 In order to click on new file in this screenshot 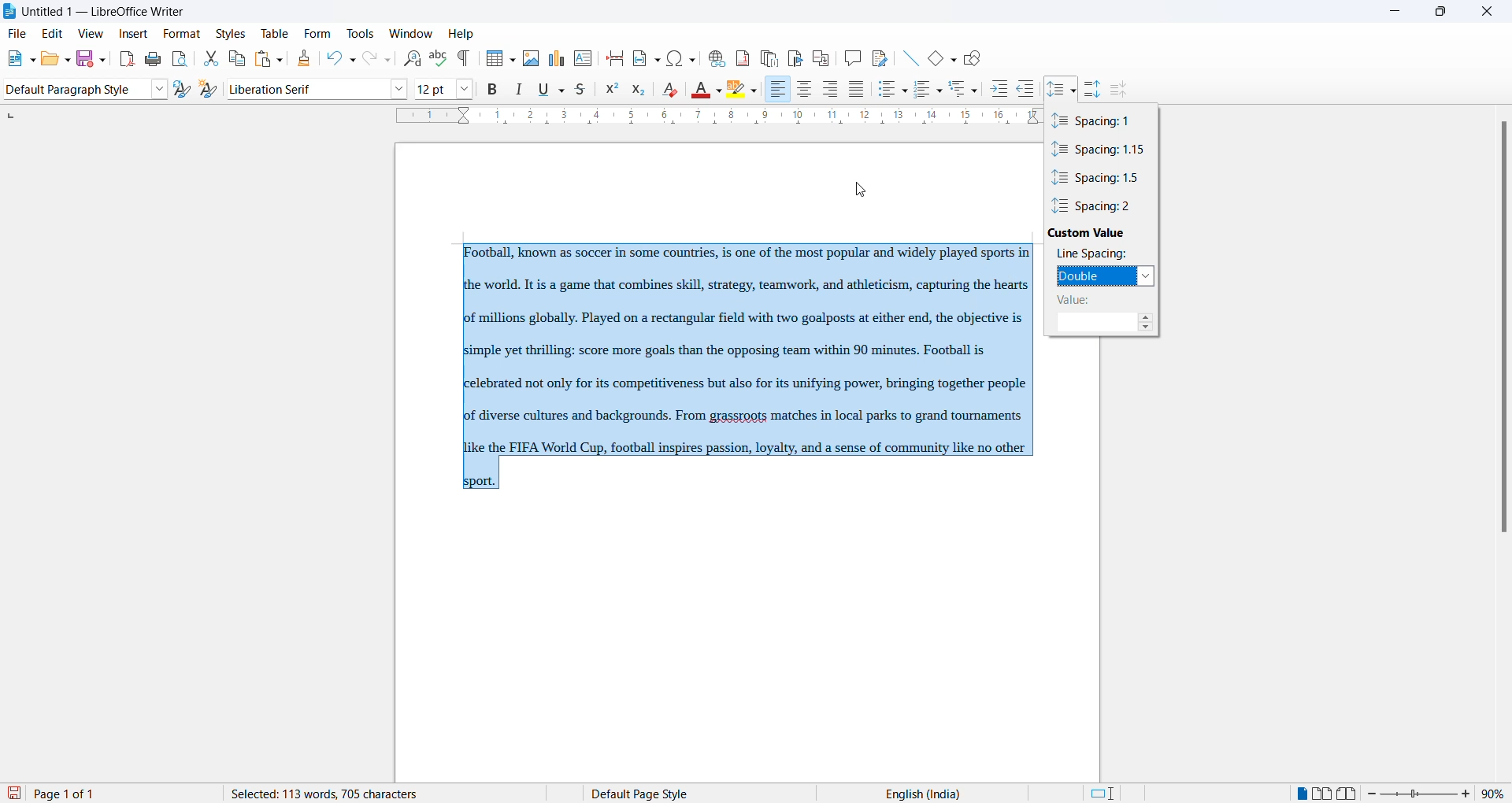, I will do `click(11, 60)`.